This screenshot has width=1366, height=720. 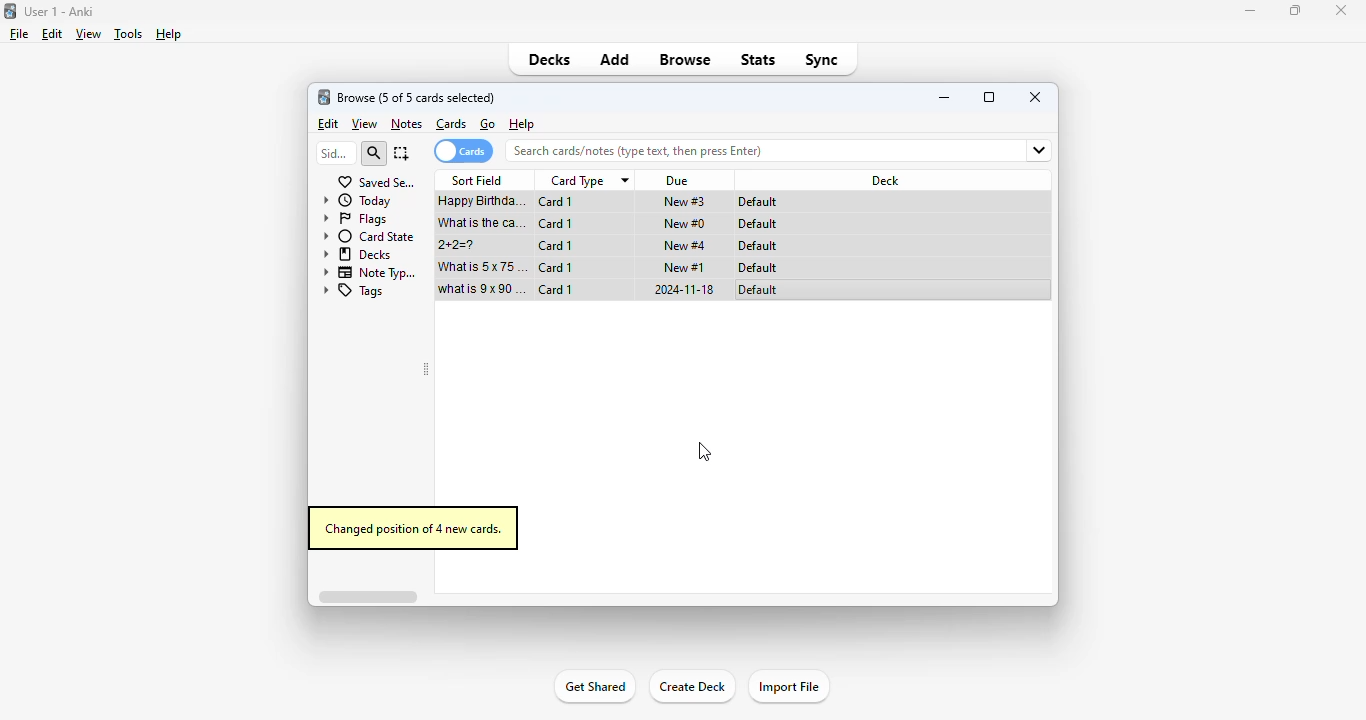 What do you see at coordinates (685, 202) in the screenshot?
I see `new #3` at bounding box center [685, 202].